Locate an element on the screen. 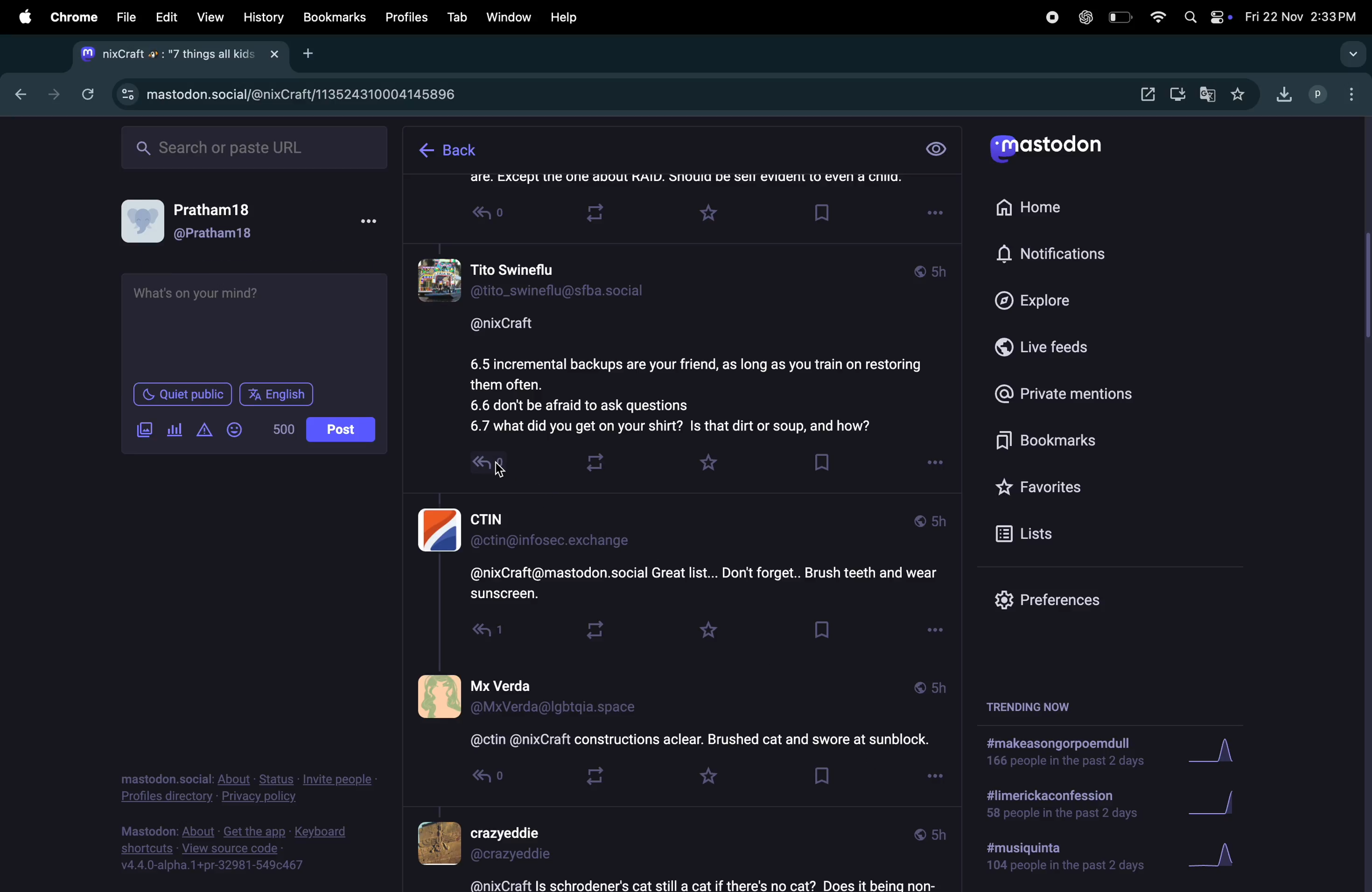 This screenshot has height=892, width=1372. thread is located at coordinates (672, 852).